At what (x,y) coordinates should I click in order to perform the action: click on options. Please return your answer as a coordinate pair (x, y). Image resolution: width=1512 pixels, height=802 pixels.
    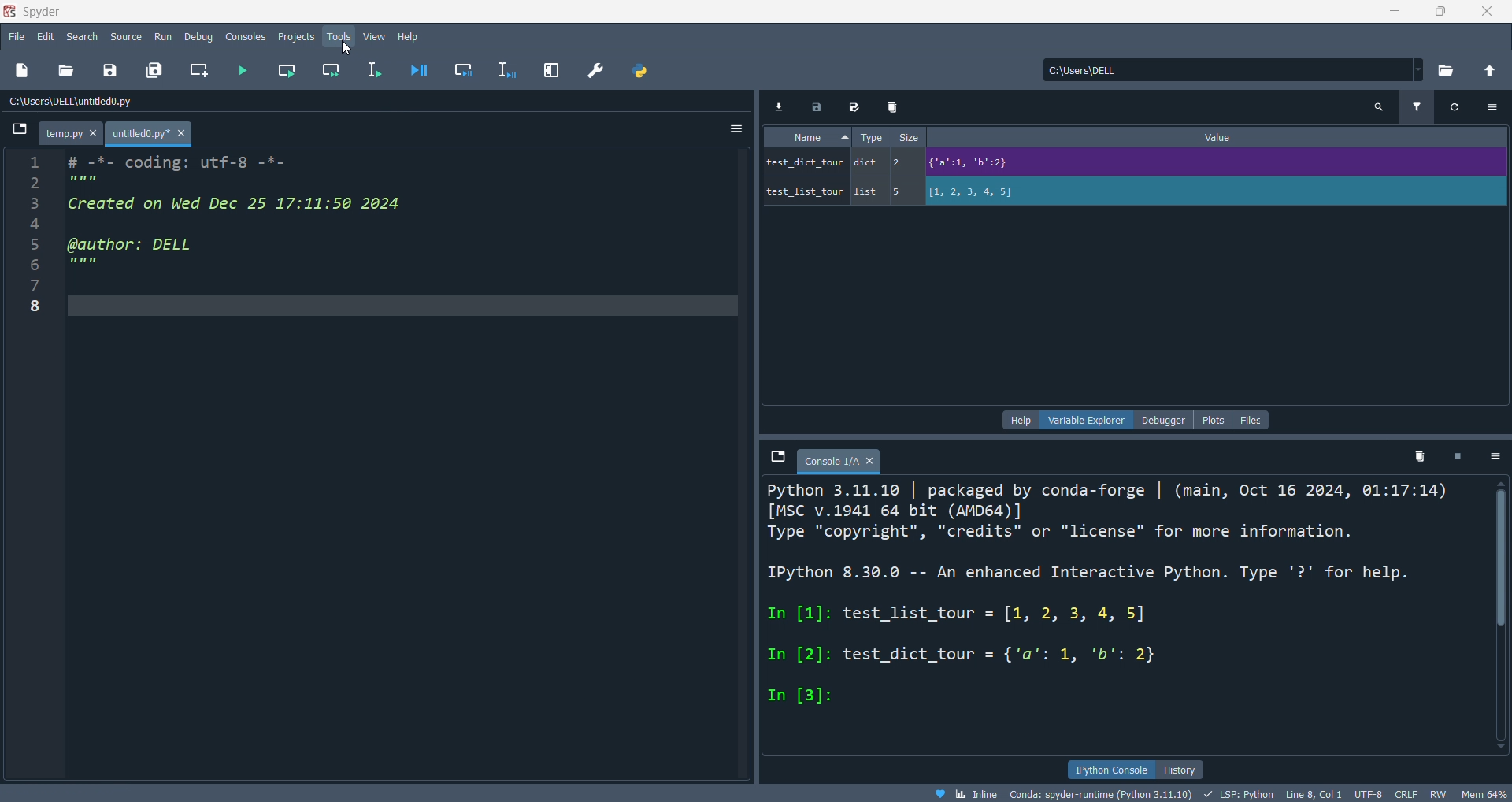
    Looking at the image, I should click on (1497, 456).